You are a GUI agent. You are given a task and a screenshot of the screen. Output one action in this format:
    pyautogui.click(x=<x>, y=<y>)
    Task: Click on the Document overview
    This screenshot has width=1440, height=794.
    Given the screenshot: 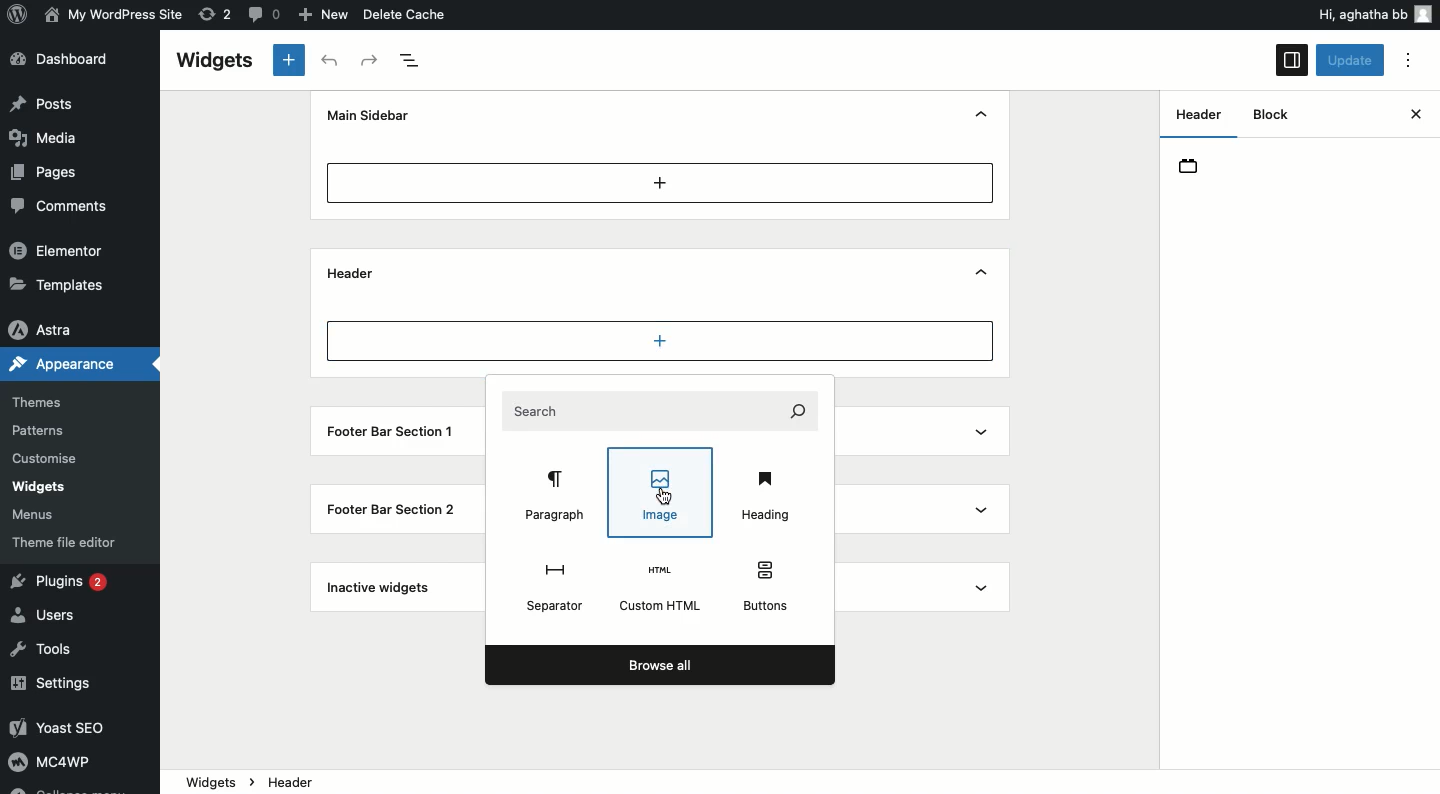 What is the action you would take?
    pyautogui.click(x=412, y=61)
    